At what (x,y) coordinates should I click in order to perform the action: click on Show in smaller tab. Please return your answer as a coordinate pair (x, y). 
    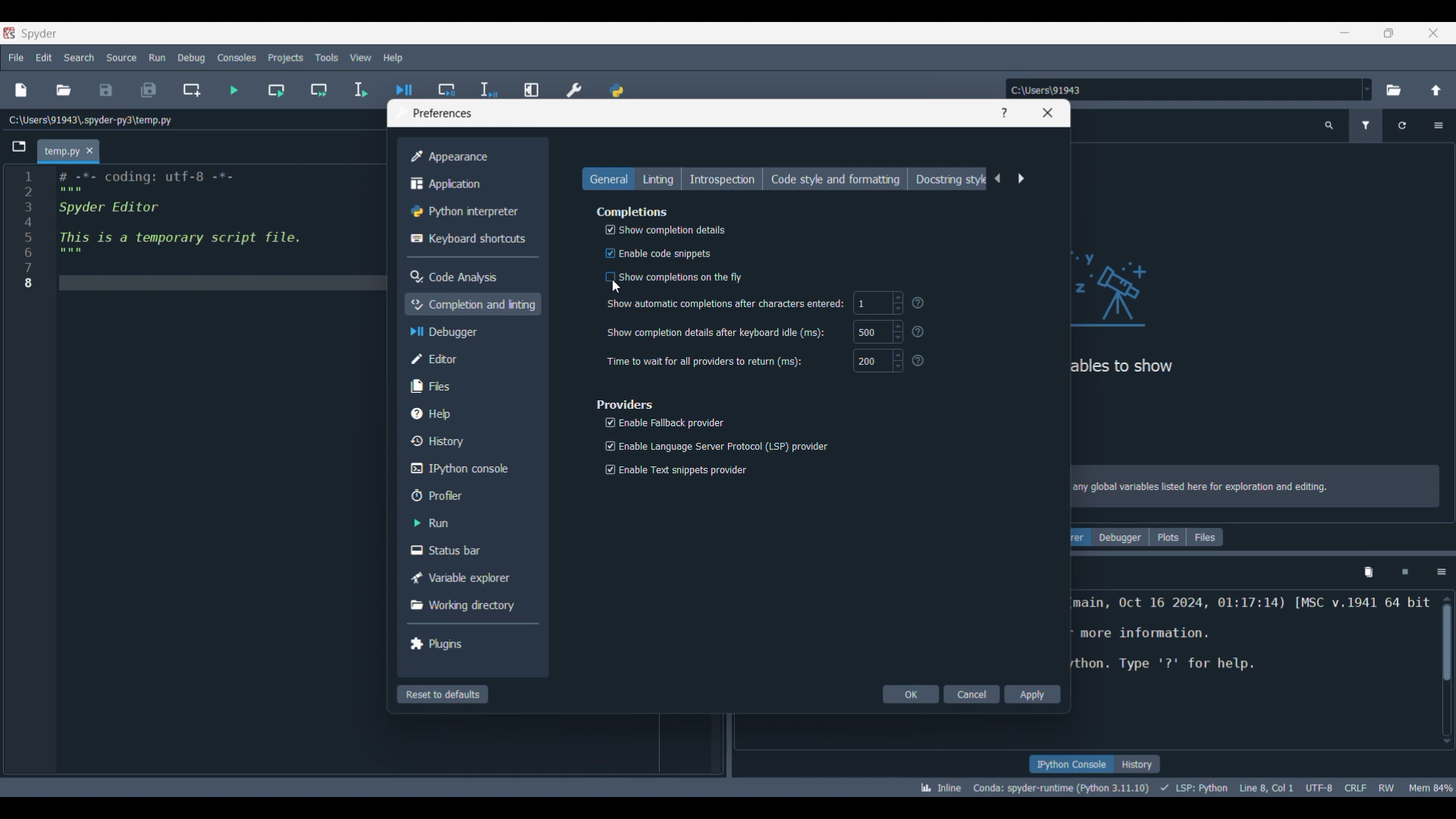
    Looking at the image, I should click on (1389, 33).